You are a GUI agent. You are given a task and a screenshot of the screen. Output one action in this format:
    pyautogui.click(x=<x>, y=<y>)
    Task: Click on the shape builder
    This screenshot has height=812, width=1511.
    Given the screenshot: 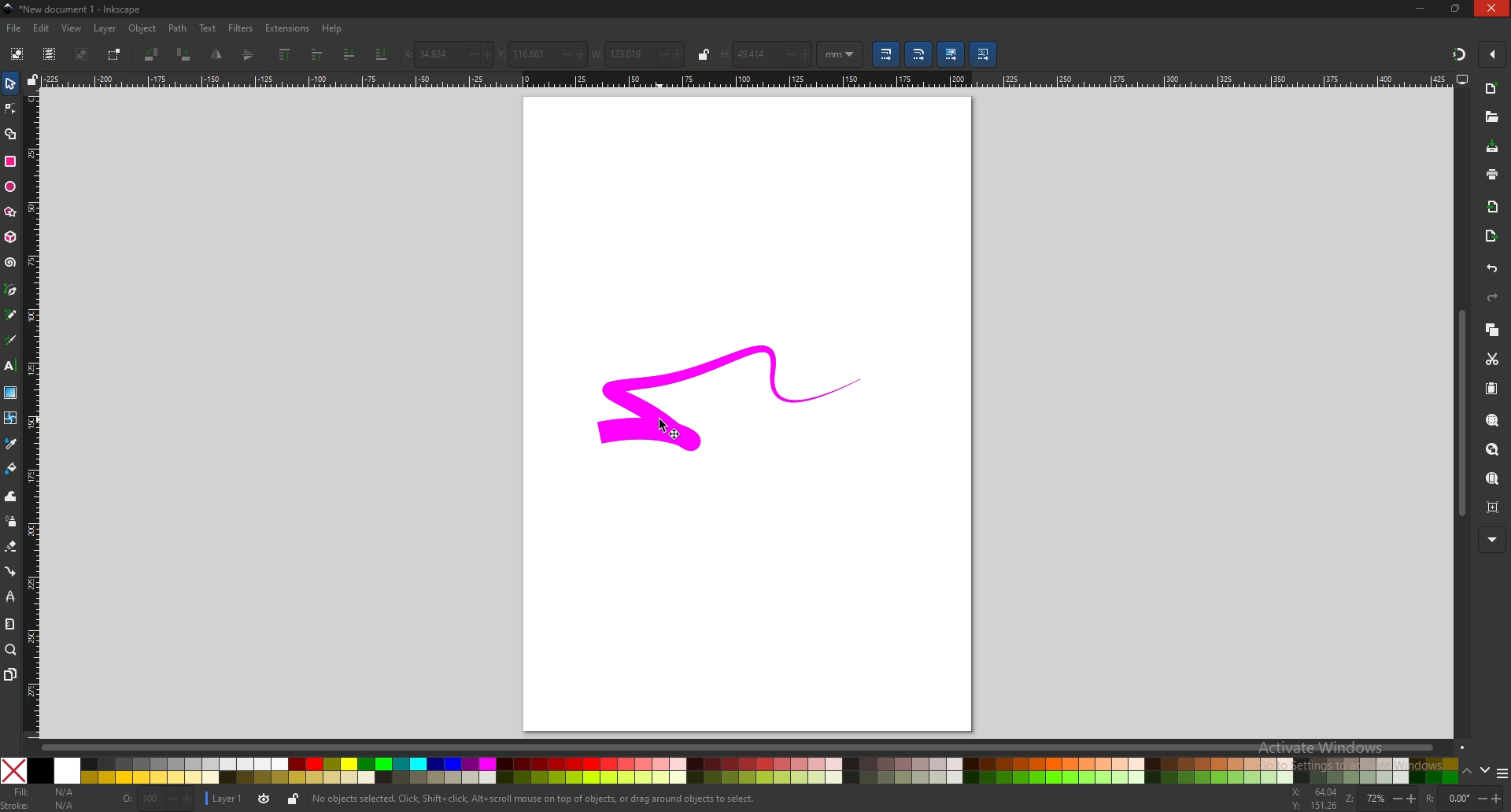 What is the action you would take?
    pyautogui.click(x=10, y=135)
    